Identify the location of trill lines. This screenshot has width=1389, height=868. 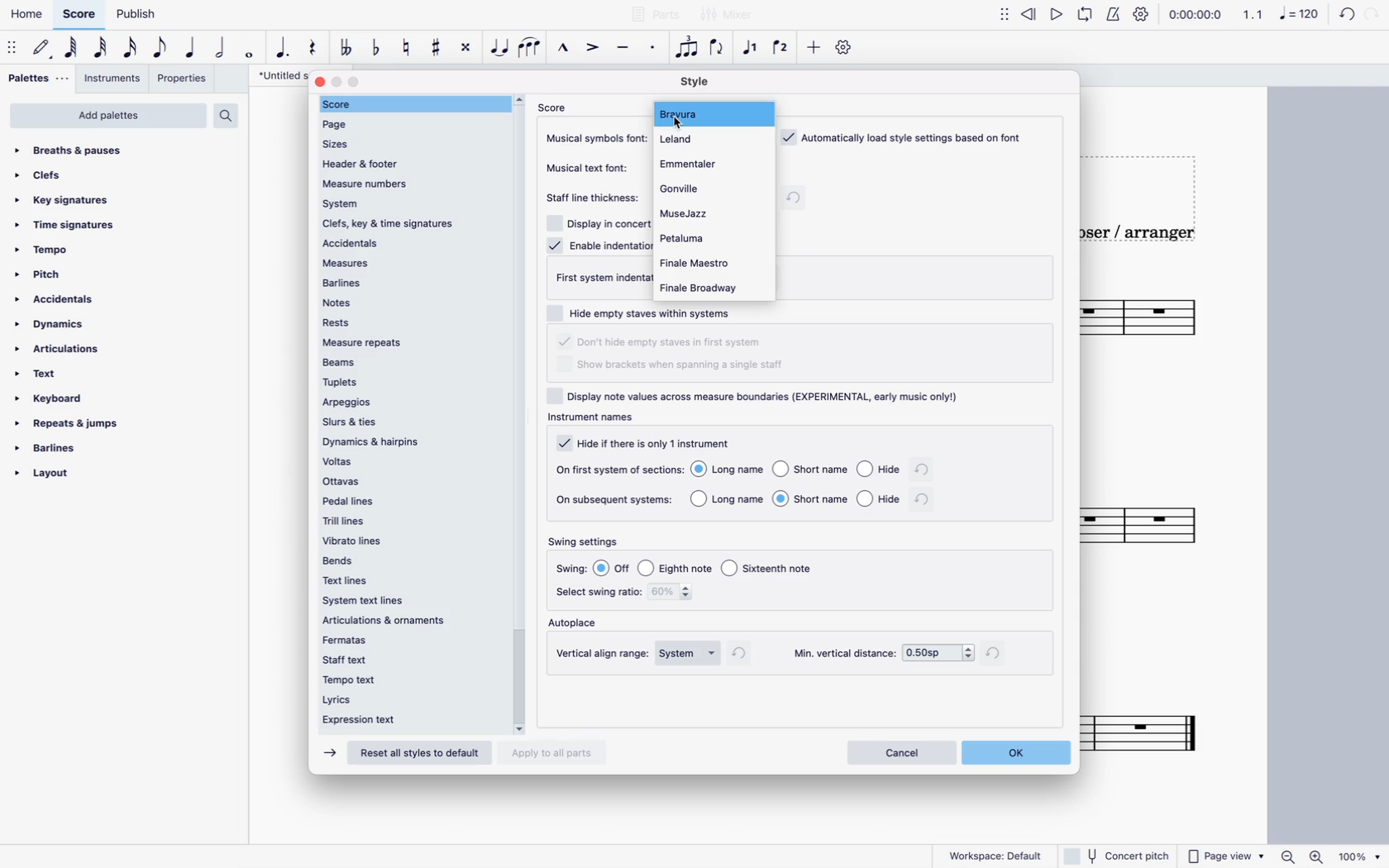
(409, 520).